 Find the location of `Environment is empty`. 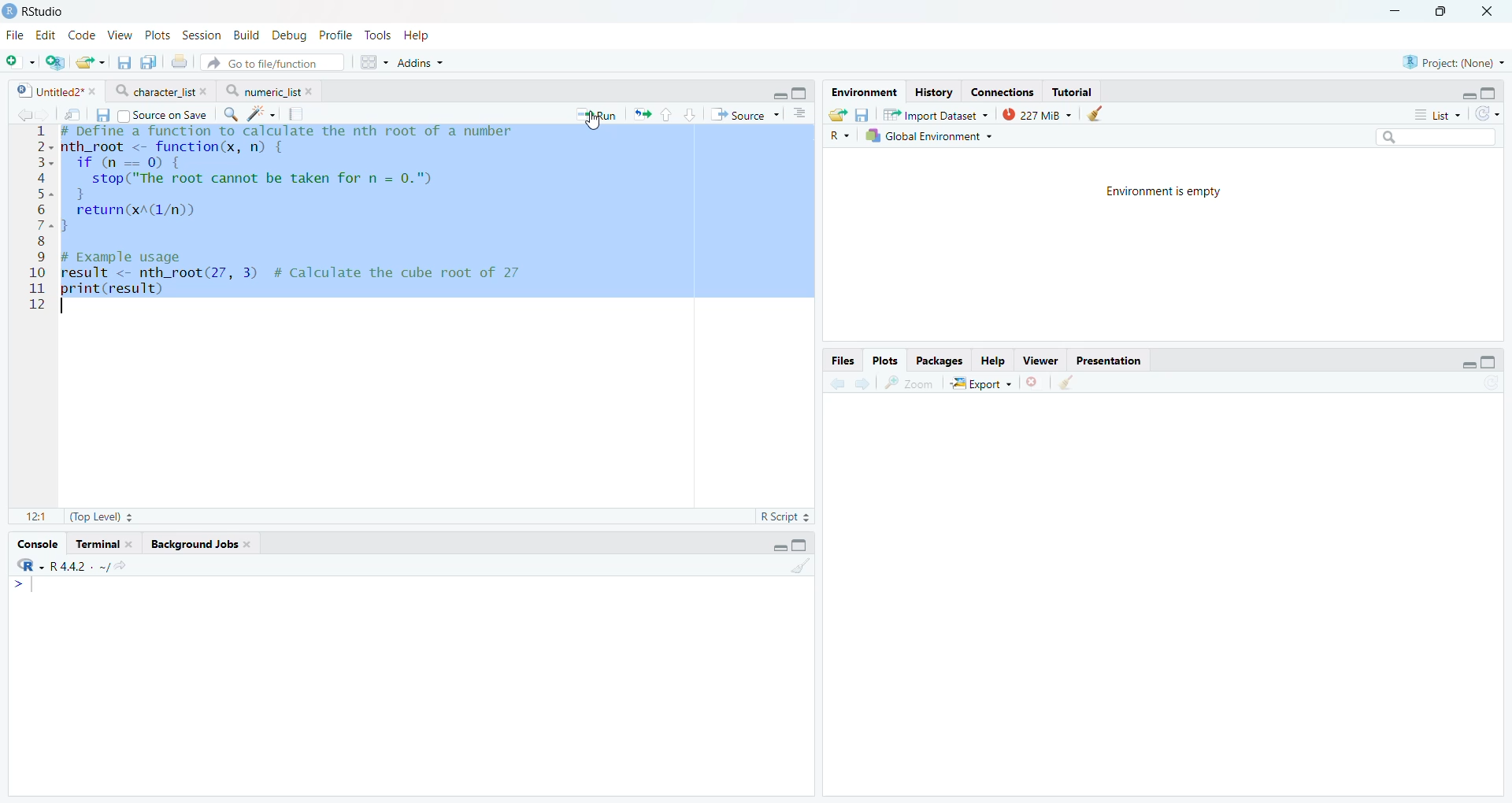

Environment is empty is located at coordinates (1163, 194).